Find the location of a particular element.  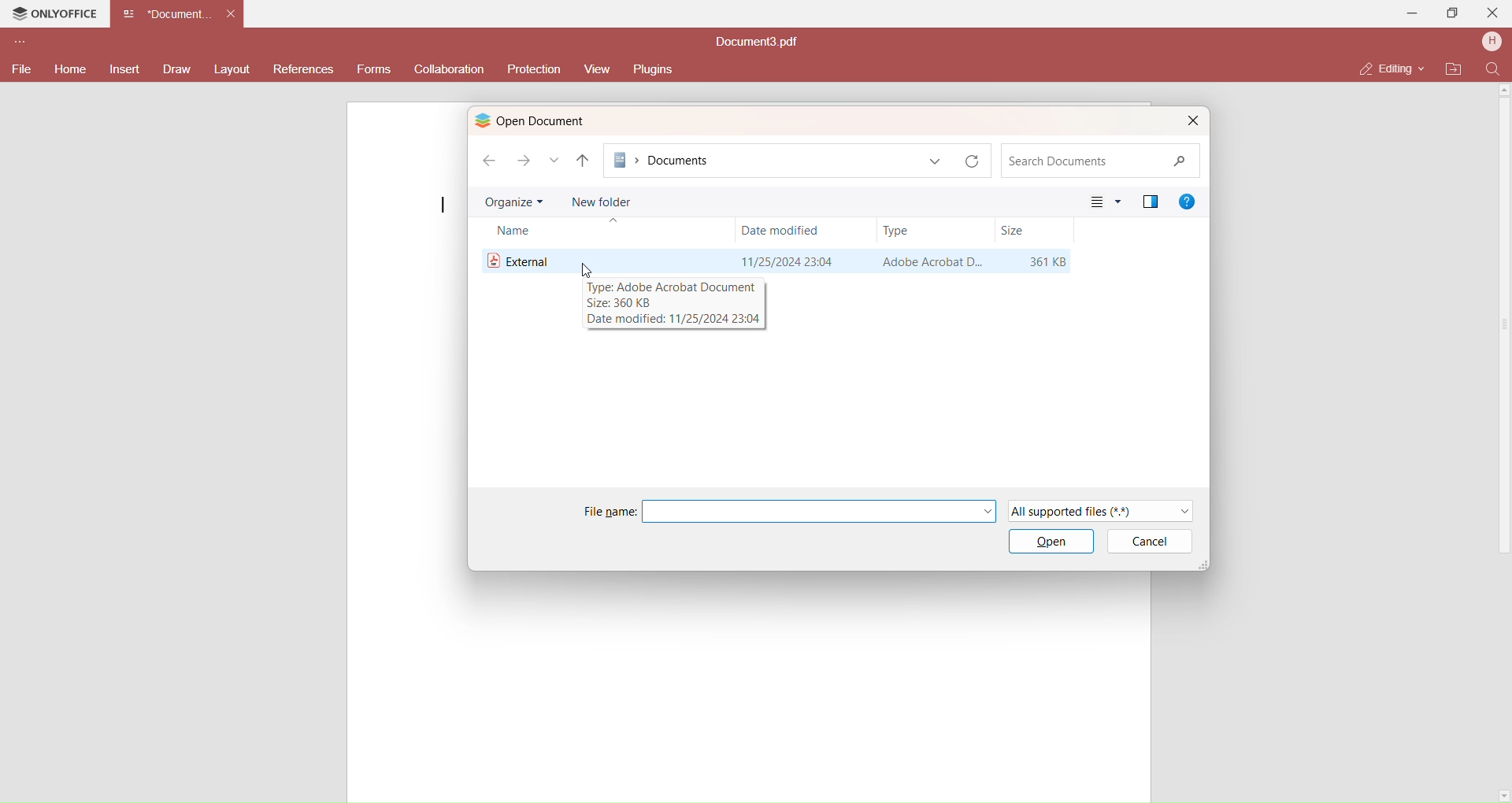

Date Modified is located at coordinates (781, 229).